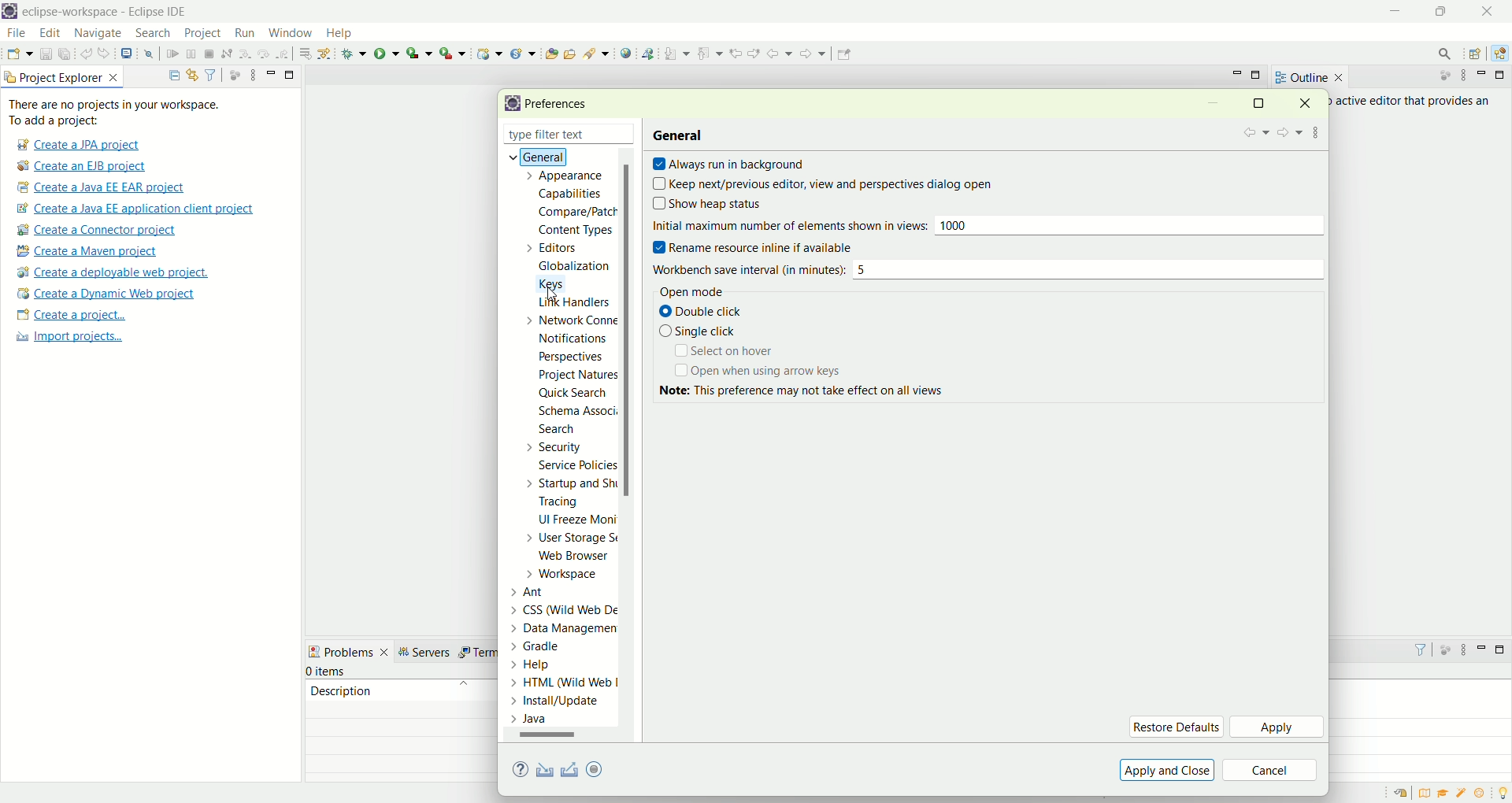 This screenshot has width=1512, height=803. I want to click on window, so click(289, 29).